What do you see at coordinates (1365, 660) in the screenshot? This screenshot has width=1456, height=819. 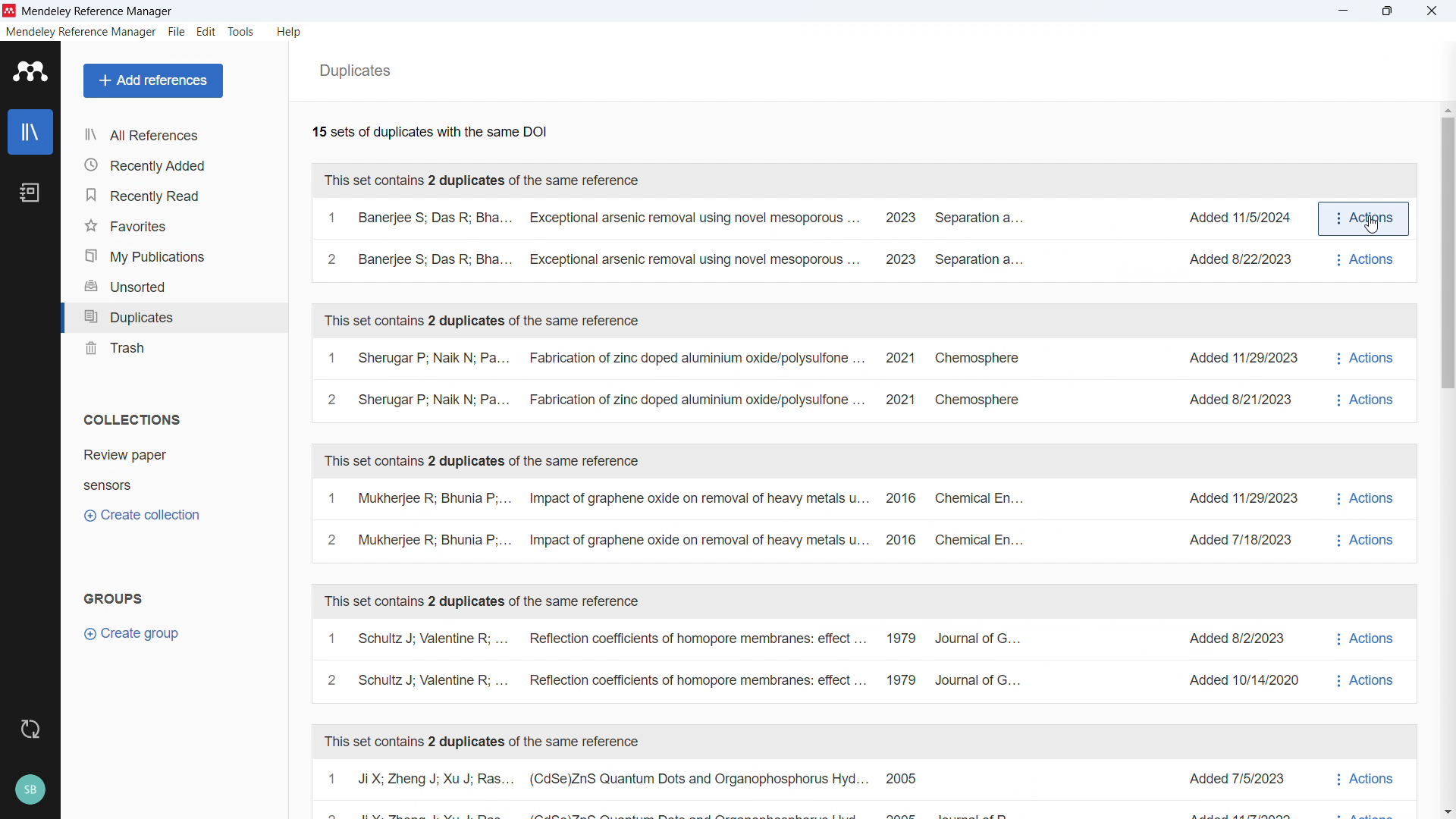 I see `actions ` at bounding box center [1365, 660].